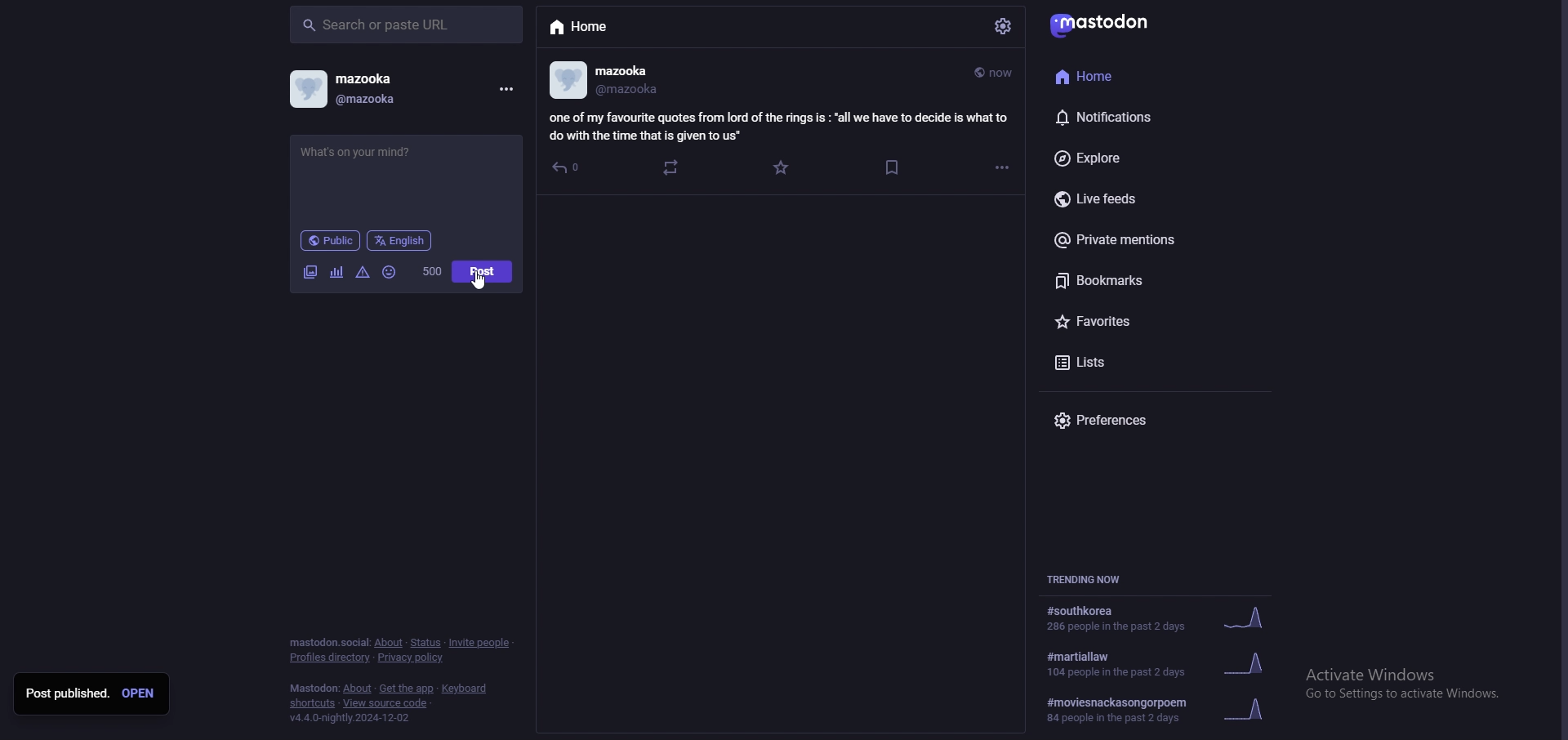 Image resolution: width=1568 pixels, height=740 pixels. Describe the element at coordinates (994, 71) in the screenshot. I see `time` at that location.